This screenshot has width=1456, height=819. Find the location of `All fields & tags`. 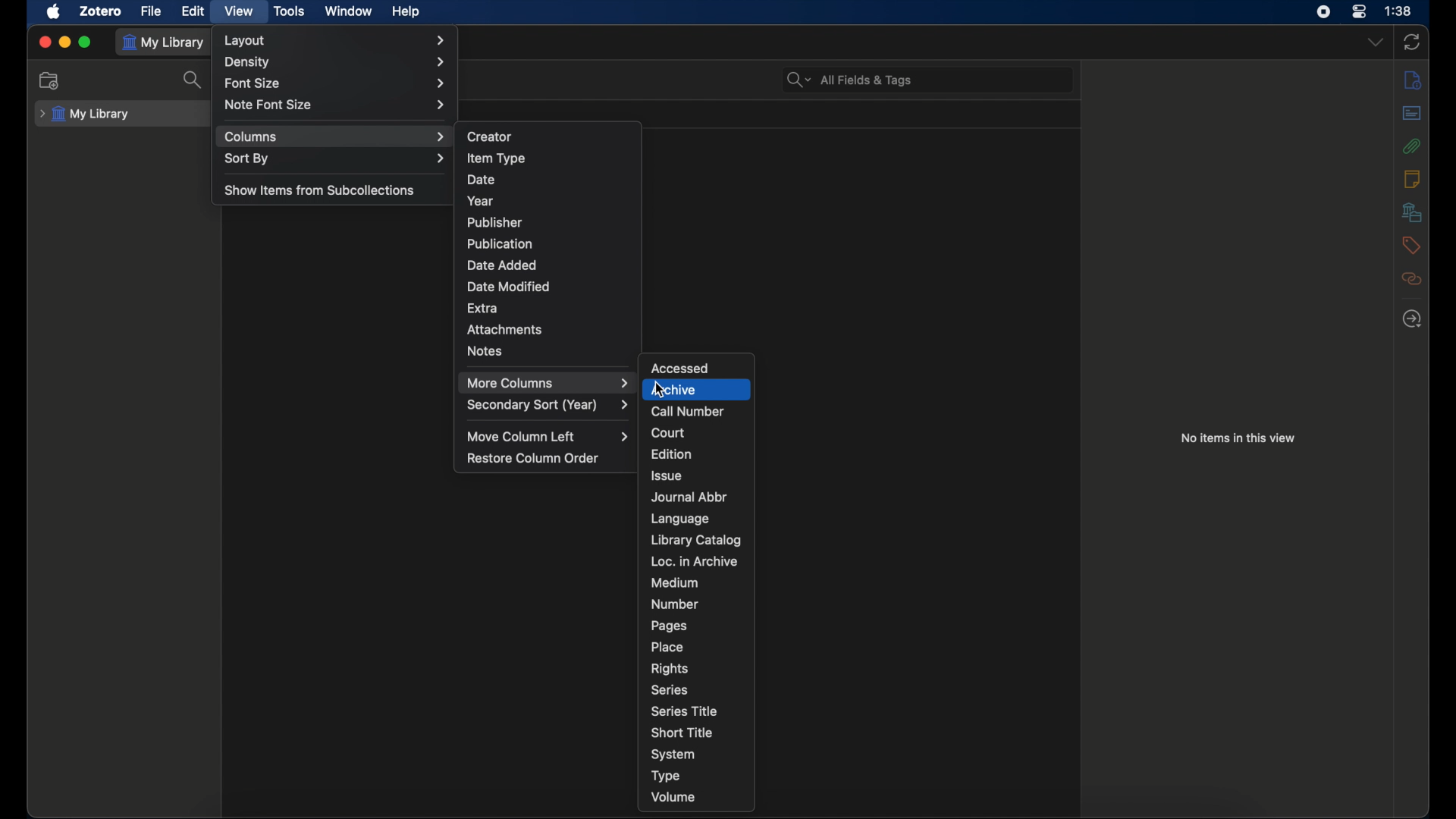

All fields & tags is located at coordinates (849, 80).